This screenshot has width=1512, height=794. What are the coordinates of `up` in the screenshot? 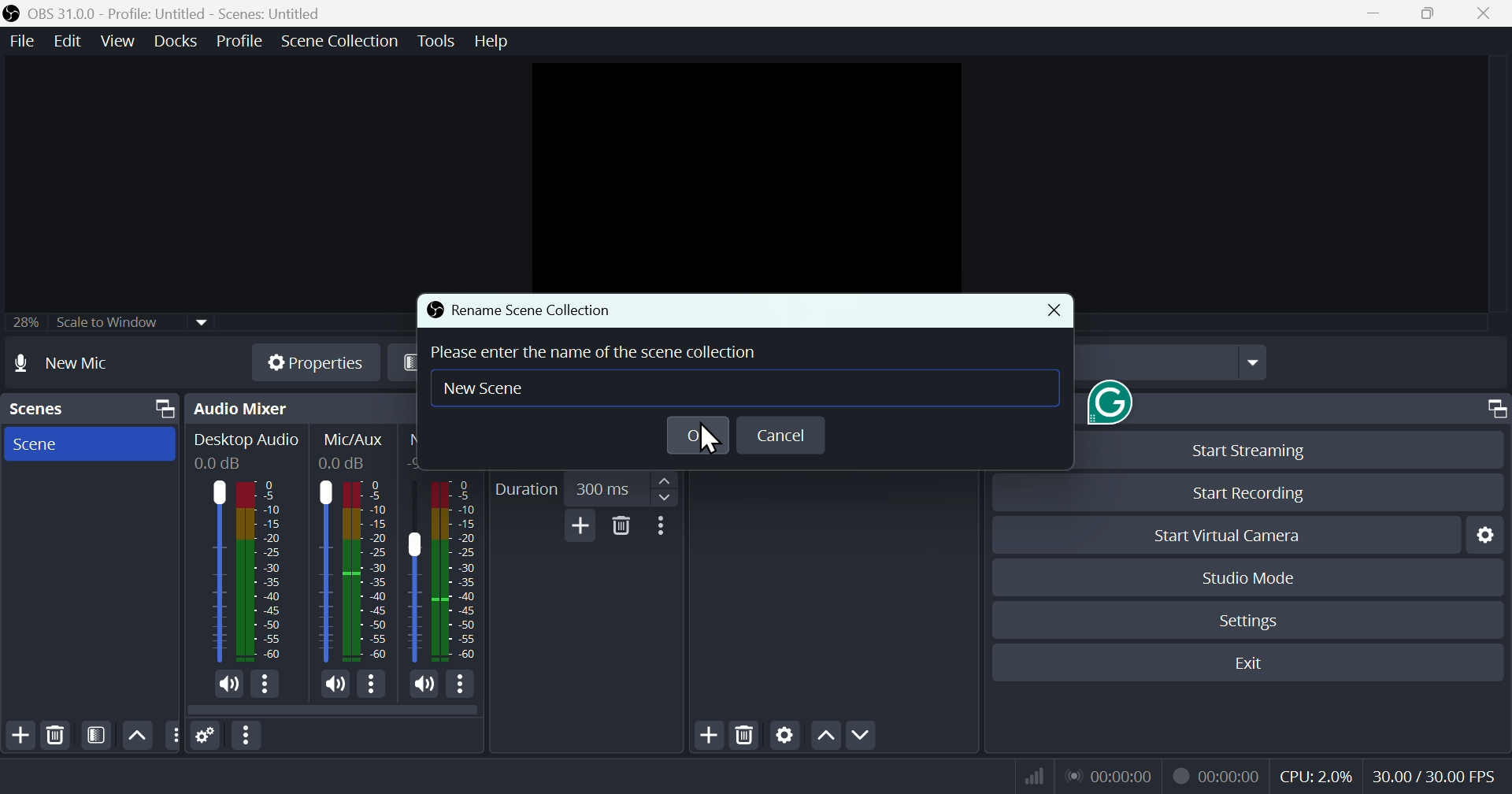 It's located at (825, 737).